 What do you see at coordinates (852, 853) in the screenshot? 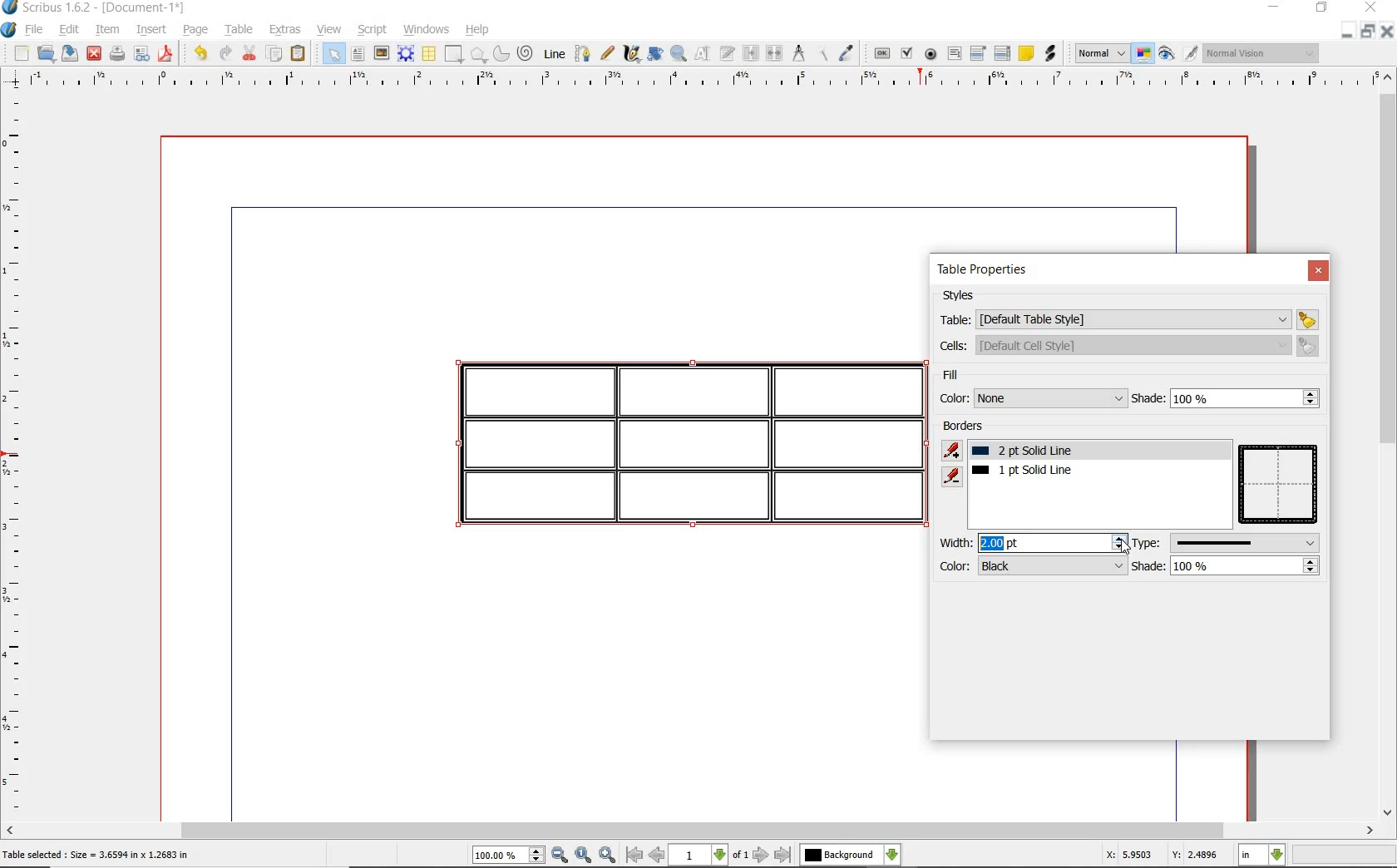
I see `select the current layer` at bounding box center [852, 853].